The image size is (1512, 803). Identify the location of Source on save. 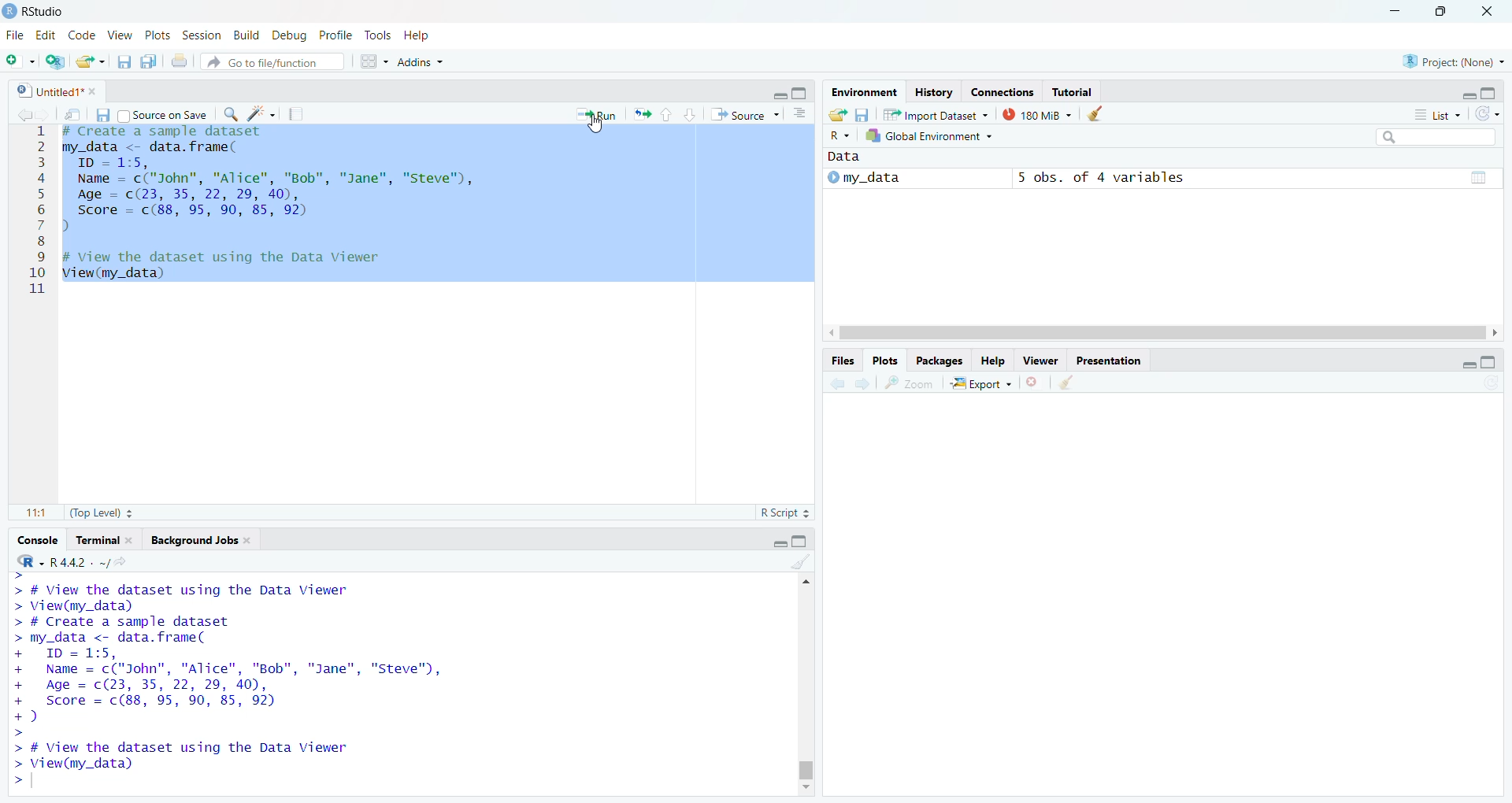
(161, 115).